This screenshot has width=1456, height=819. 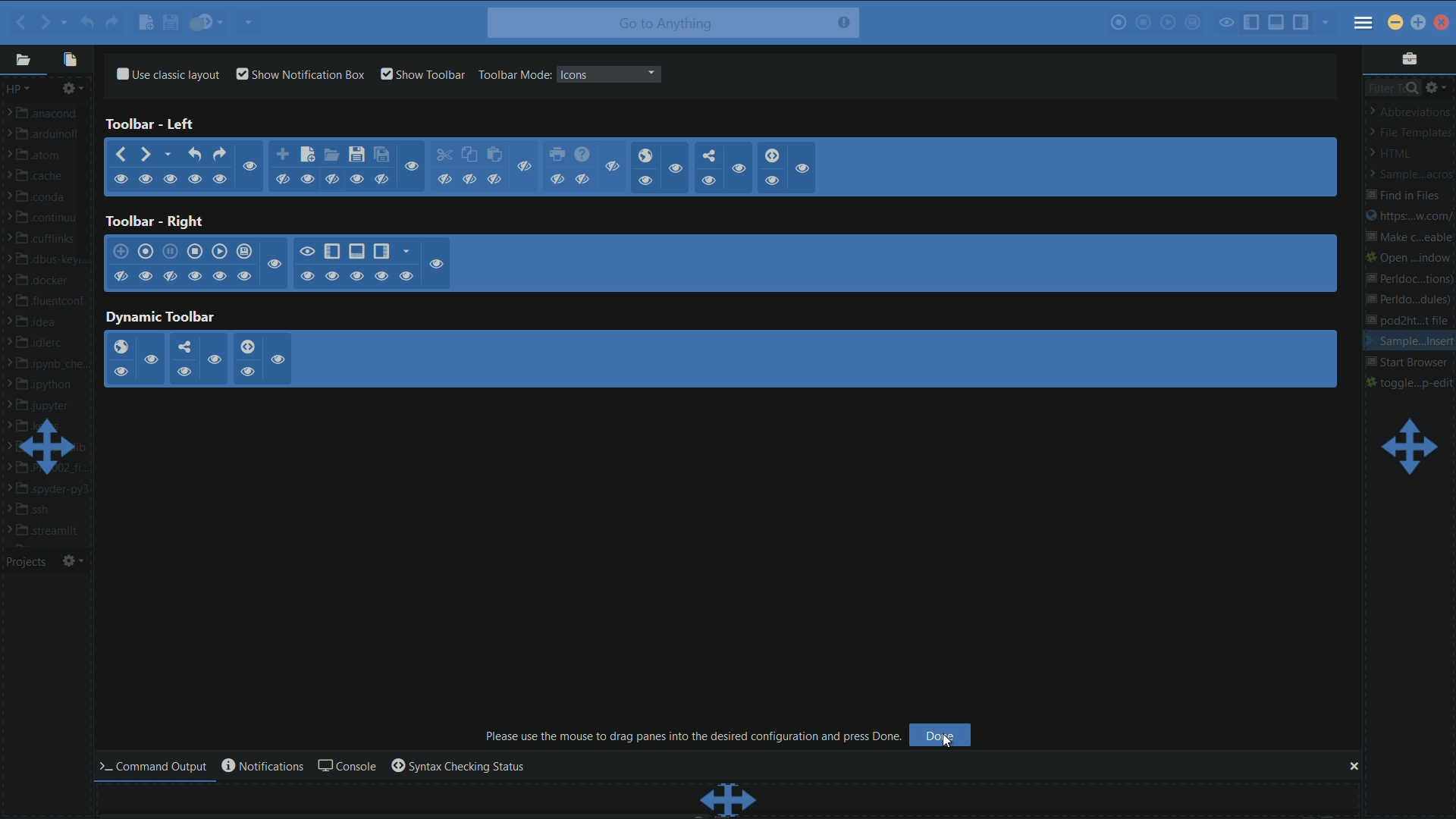 What do you see at coordinates (309, 179) in the screenshot?
I see `show/hide` at bounding box center [309, 179].